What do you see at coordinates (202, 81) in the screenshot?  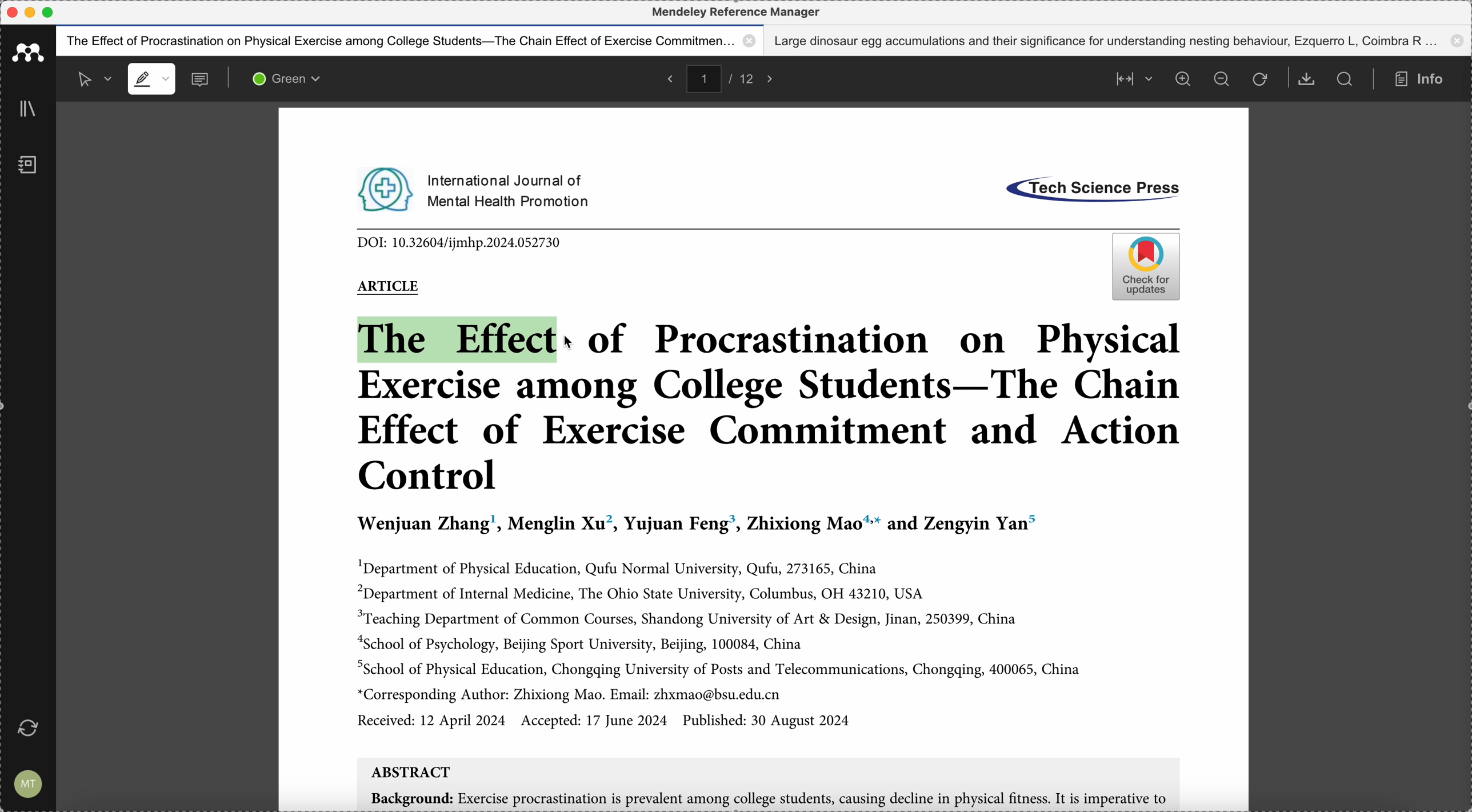 I see `comments` at bounding box center [202, 81].